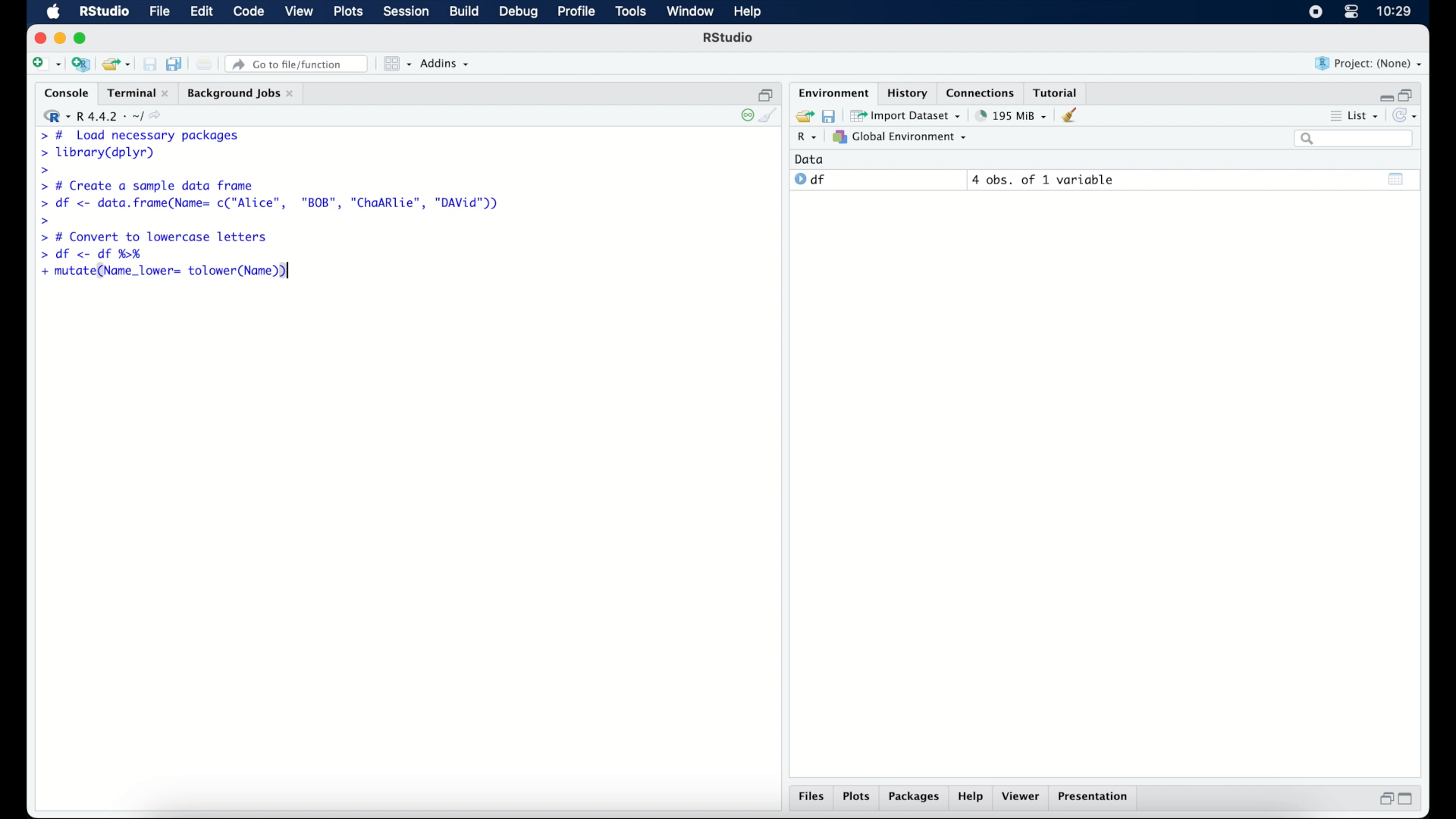 This screenshot has width=1456, height=819. I want to click on create new project, so click(81, 65).